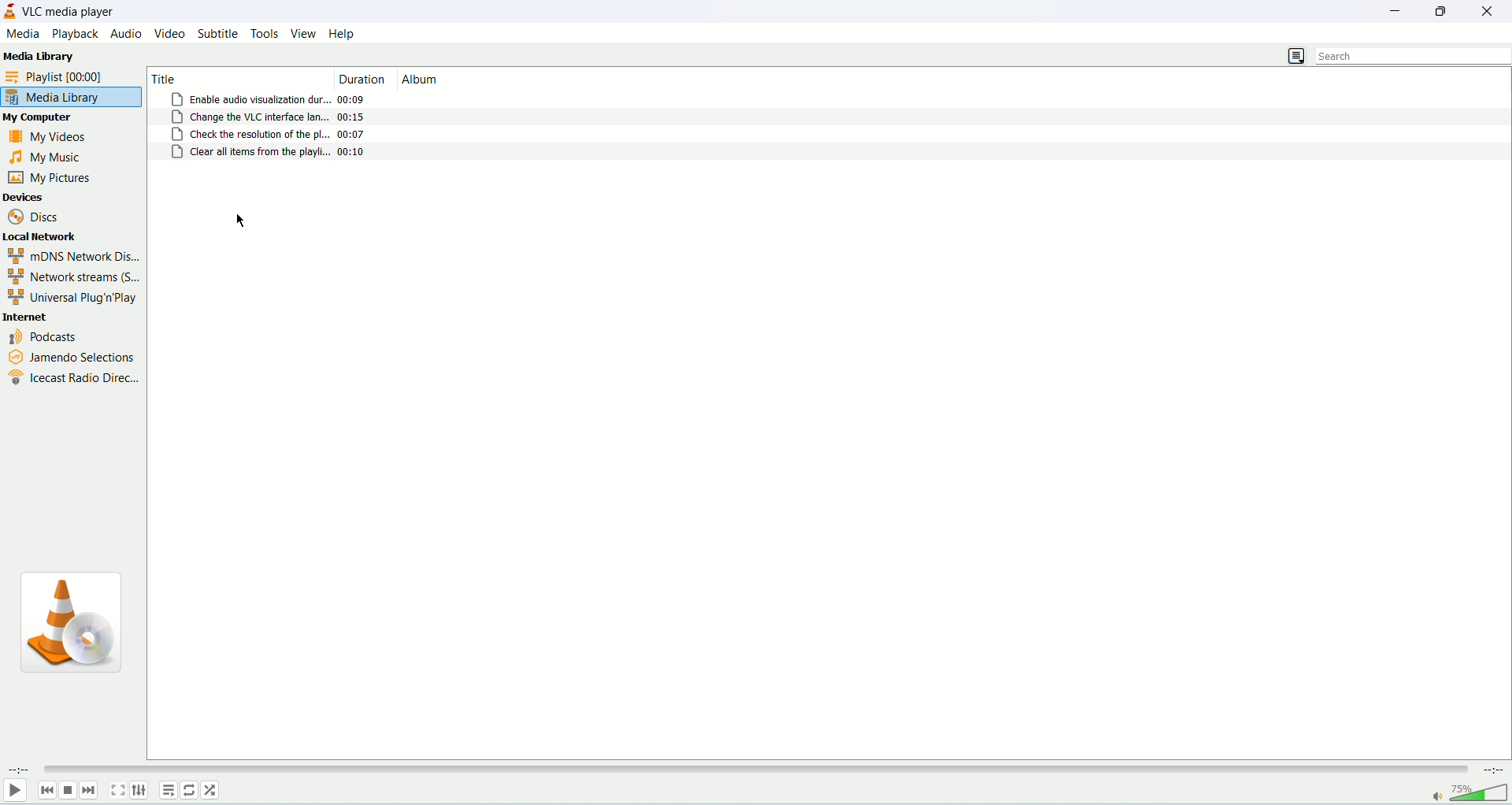 The height and width of the screenshot is (805, 1512). What do you see at coordinates (269, 117) in the screenshot?
I see `file: Change the VLC interface lan... 00:15` at bounding box center [269, 117].